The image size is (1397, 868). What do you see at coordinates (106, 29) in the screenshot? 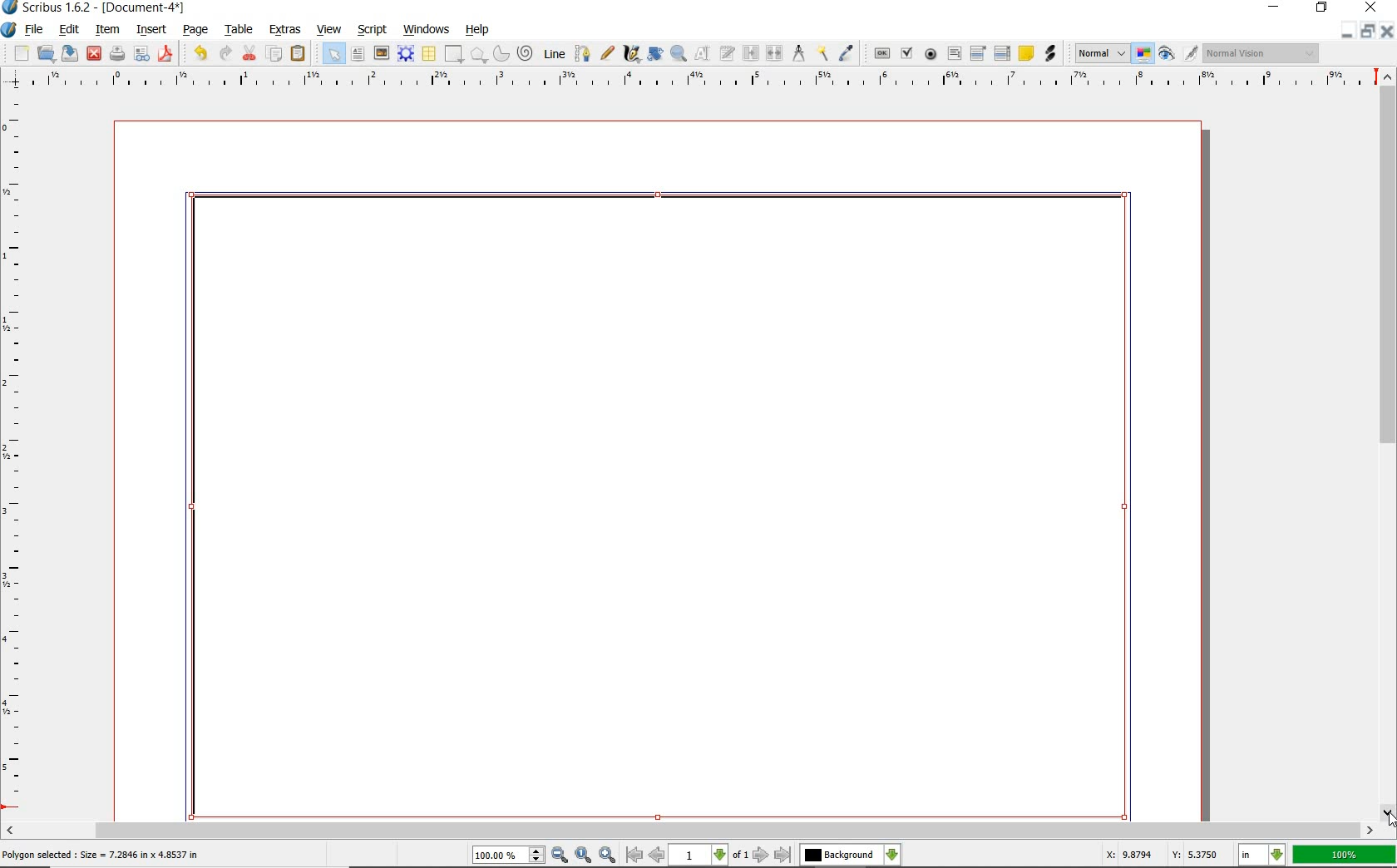
I see `item` at bounding box center [106, 29].